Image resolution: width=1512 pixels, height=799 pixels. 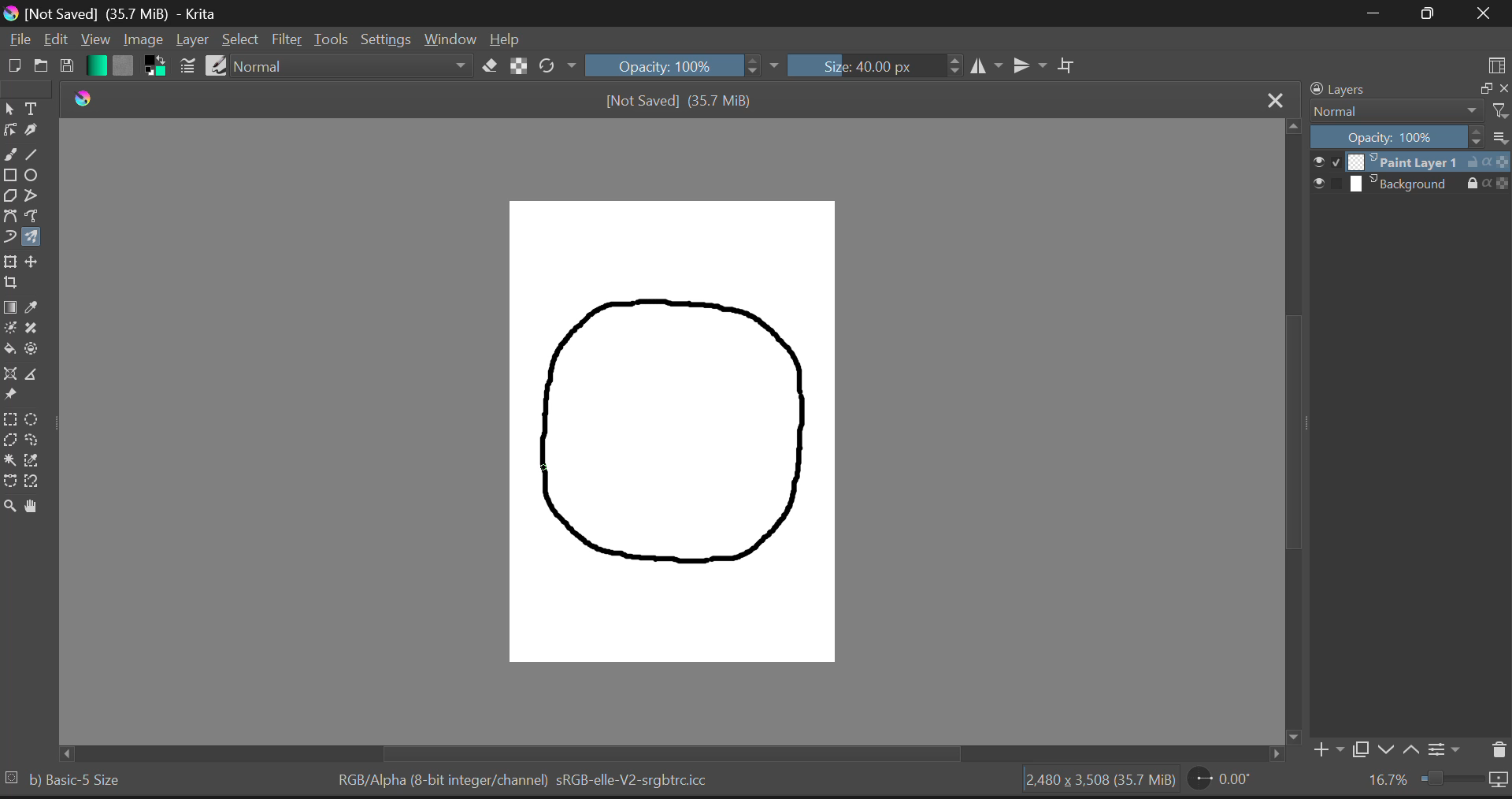 What do you see at coordinates (39, 463) in the screenshot?
I see `Similar Color Selection` at bounding box center [39, 463].